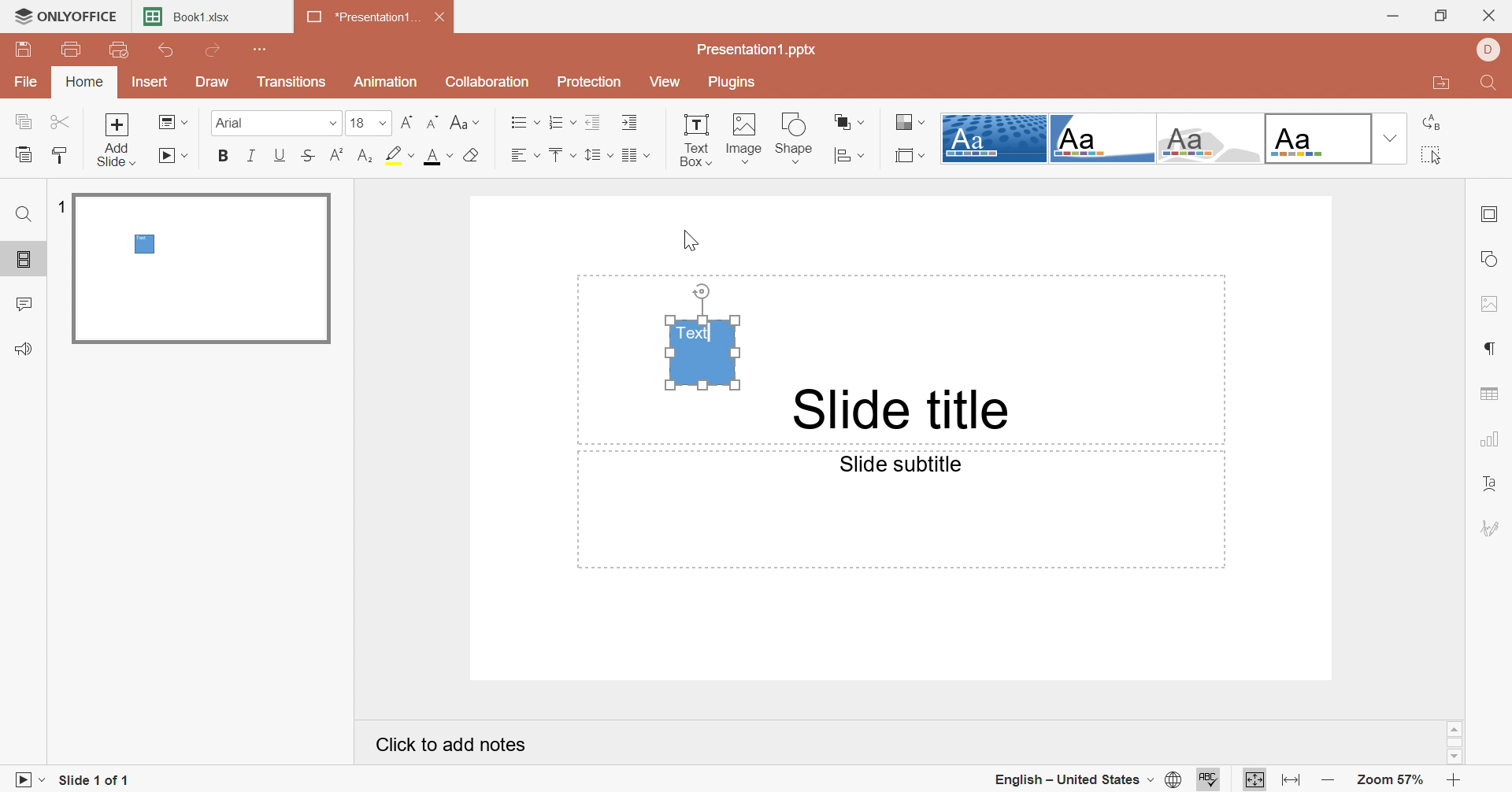  I want to click on Insert columns, so click(632, 154).